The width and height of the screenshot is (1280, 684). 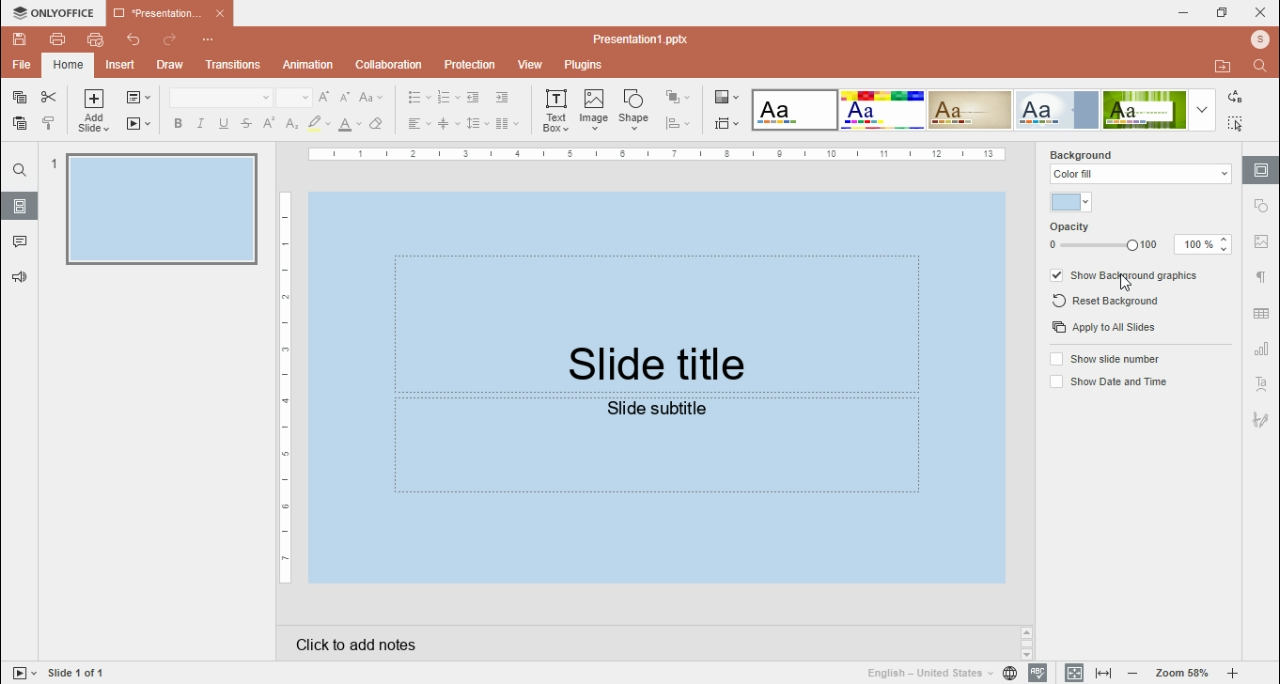 I want to click on star slideshow, so click(x=139, y=124).